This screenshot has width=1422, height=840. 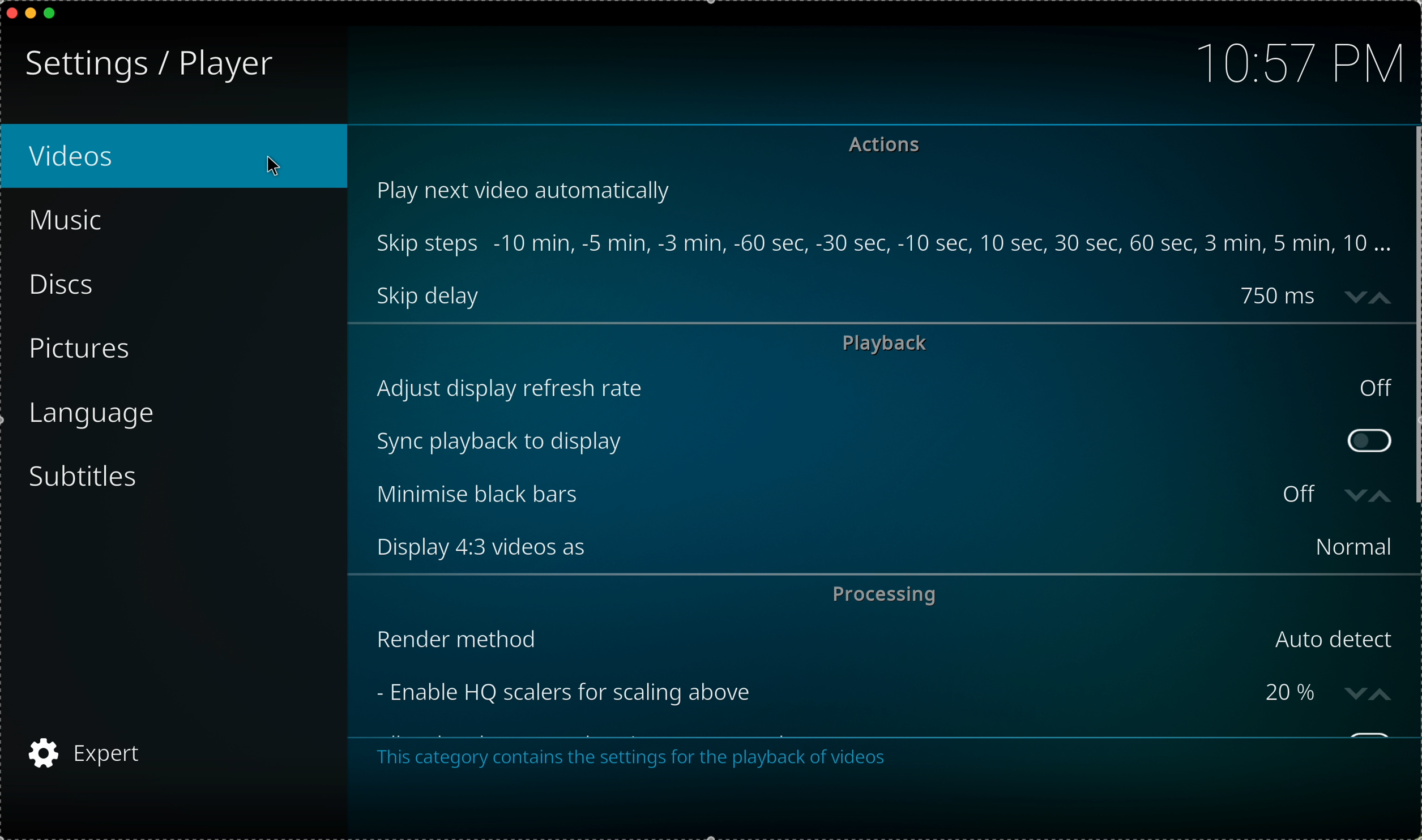 I want to click on skip delay   750 ms, so click(x=848, y=296).